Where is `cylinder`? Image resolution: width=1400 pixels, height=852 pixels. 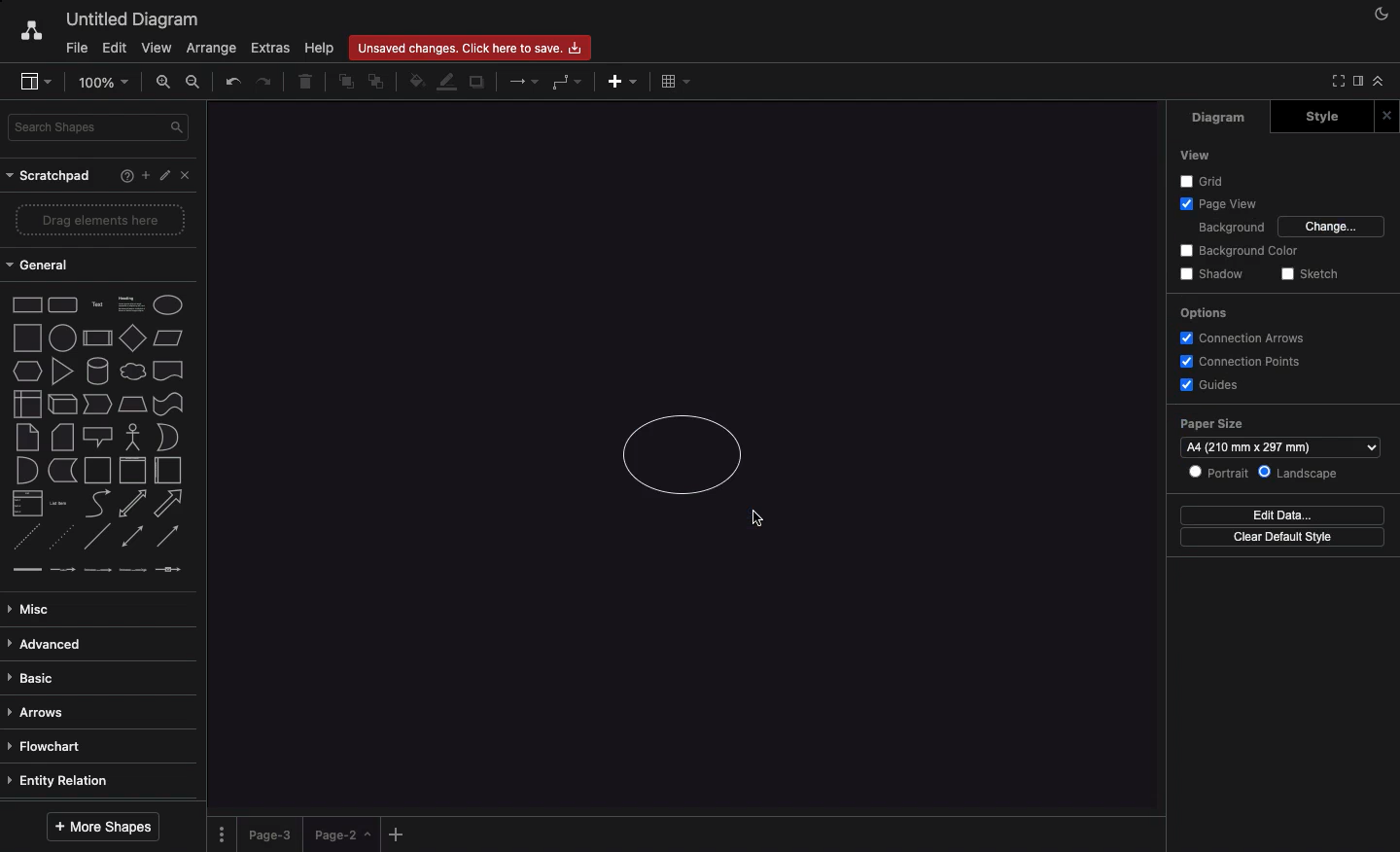 cylinder is located at coordinates (98, 371).